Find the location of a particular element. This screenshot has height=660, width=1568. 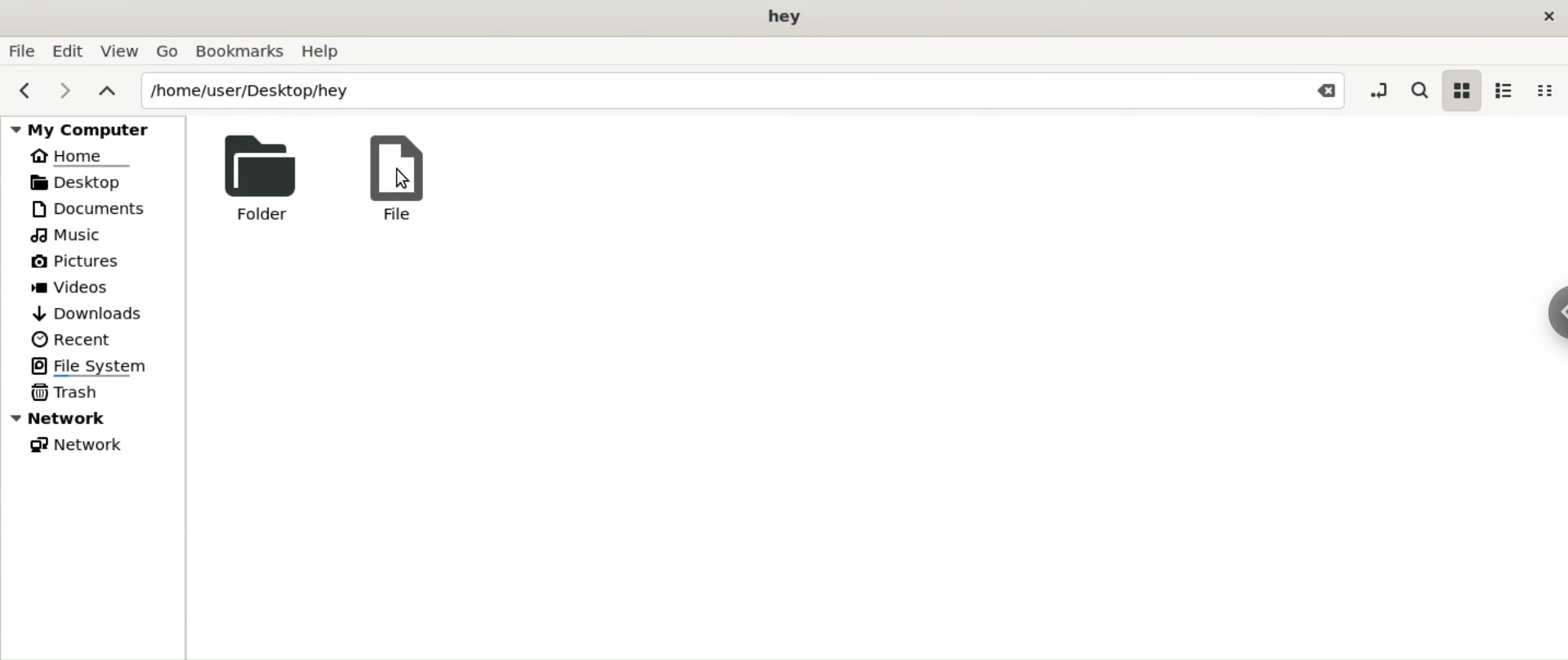

Music is located at coordinates (67, 235).